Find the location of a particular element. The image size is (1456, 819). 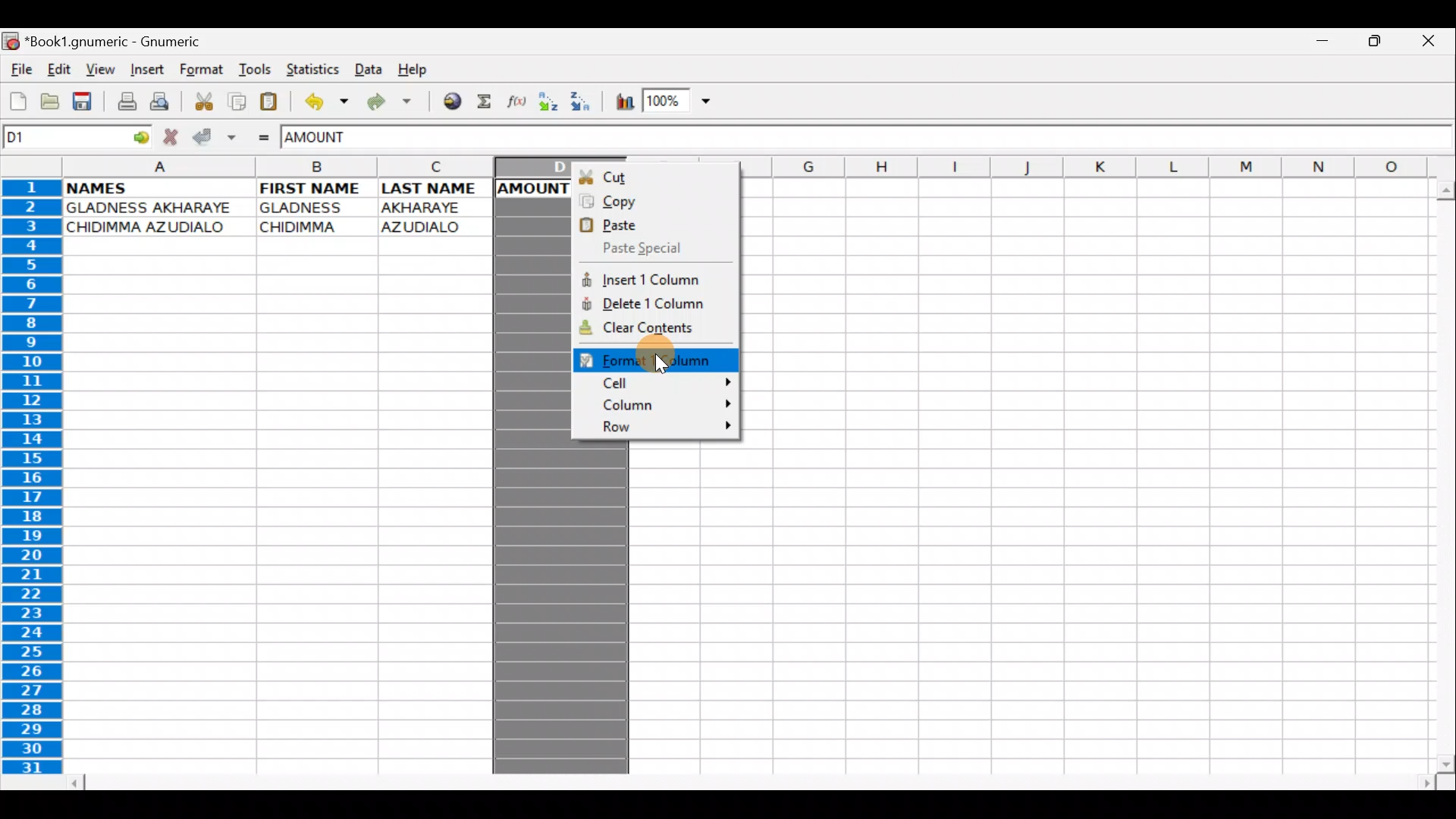

View is located at coordinates (101, 69).